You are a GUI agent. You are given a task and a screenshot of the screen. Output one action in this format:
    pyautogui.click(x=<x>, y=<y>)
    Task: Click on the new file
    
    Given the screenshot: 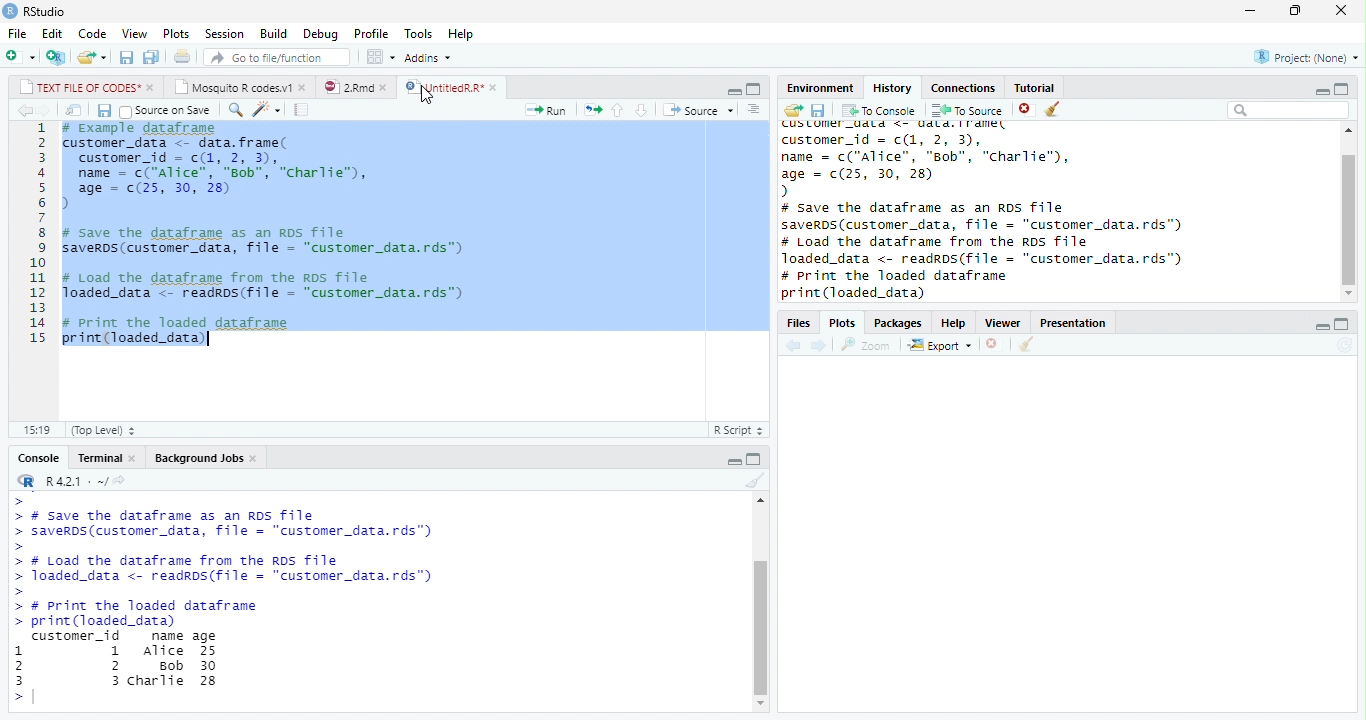 What is the action you would take?
    pyautogui.click(x=21, y=56)
    